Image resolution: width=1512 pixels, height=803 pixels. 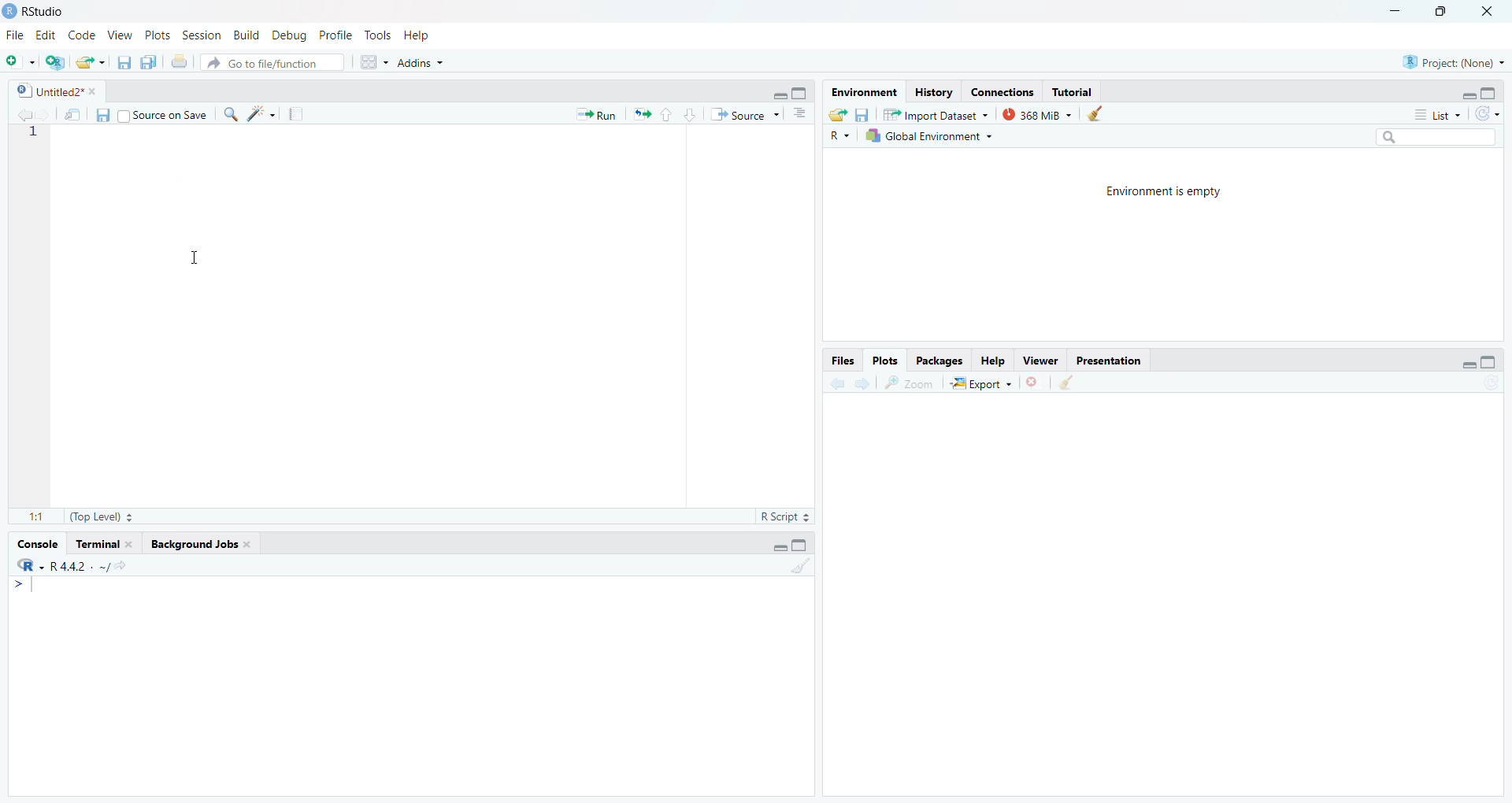 I want to click on close, so click(x=1036, y=385).